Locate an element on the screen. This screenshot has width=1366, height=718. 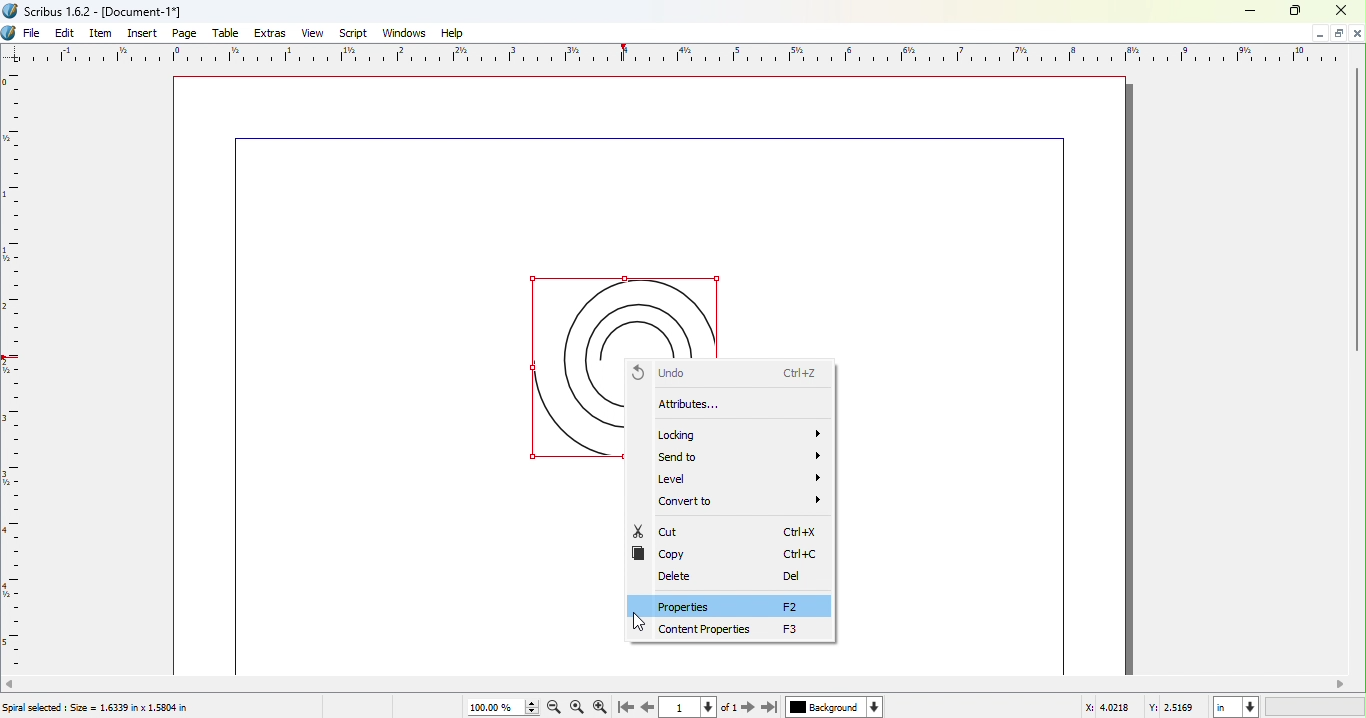
change unit is located at coordinates (1252, 707).